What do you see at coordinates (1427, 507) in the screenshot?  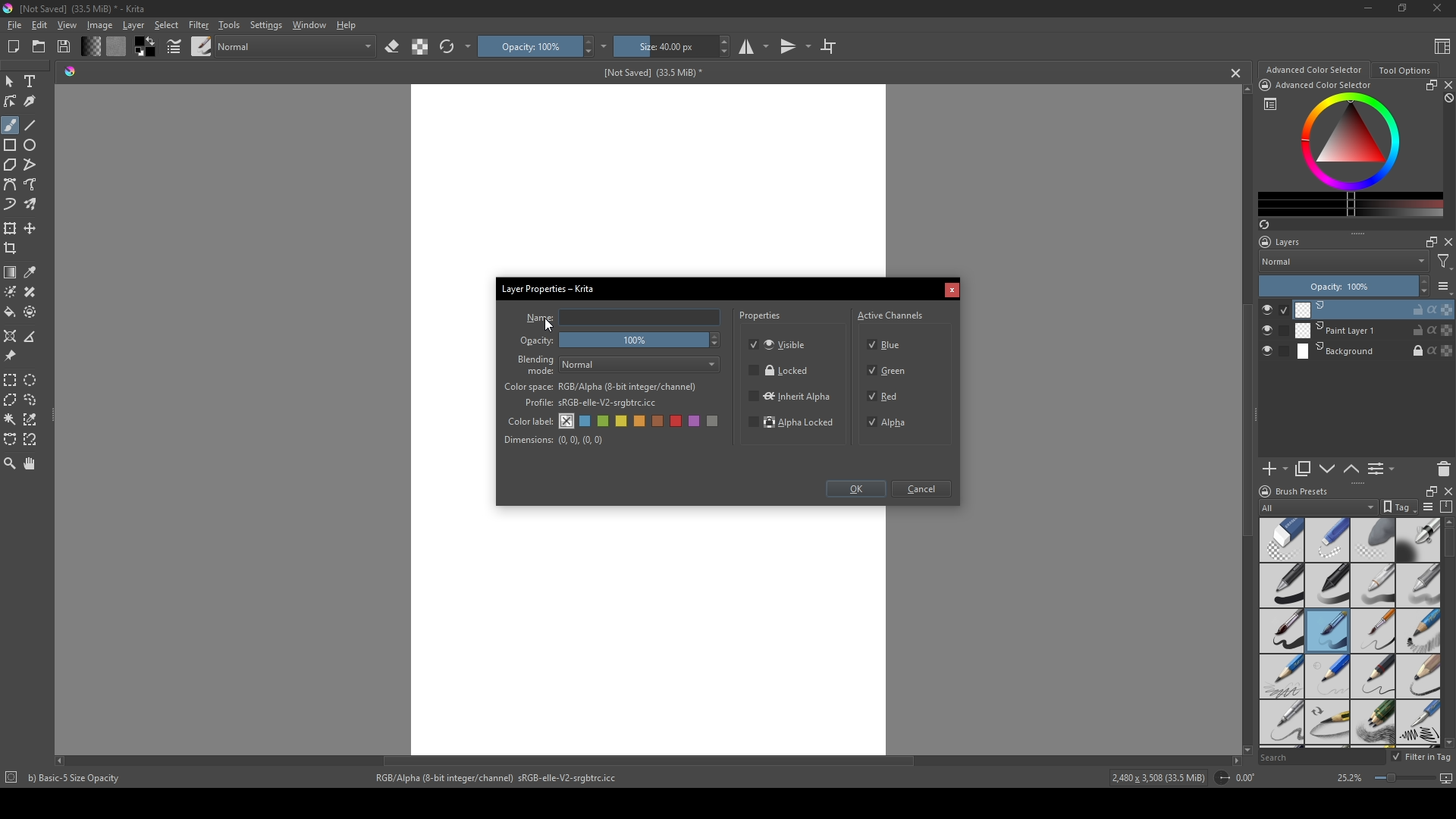 I see `list` at bounding box center [1427, 507].